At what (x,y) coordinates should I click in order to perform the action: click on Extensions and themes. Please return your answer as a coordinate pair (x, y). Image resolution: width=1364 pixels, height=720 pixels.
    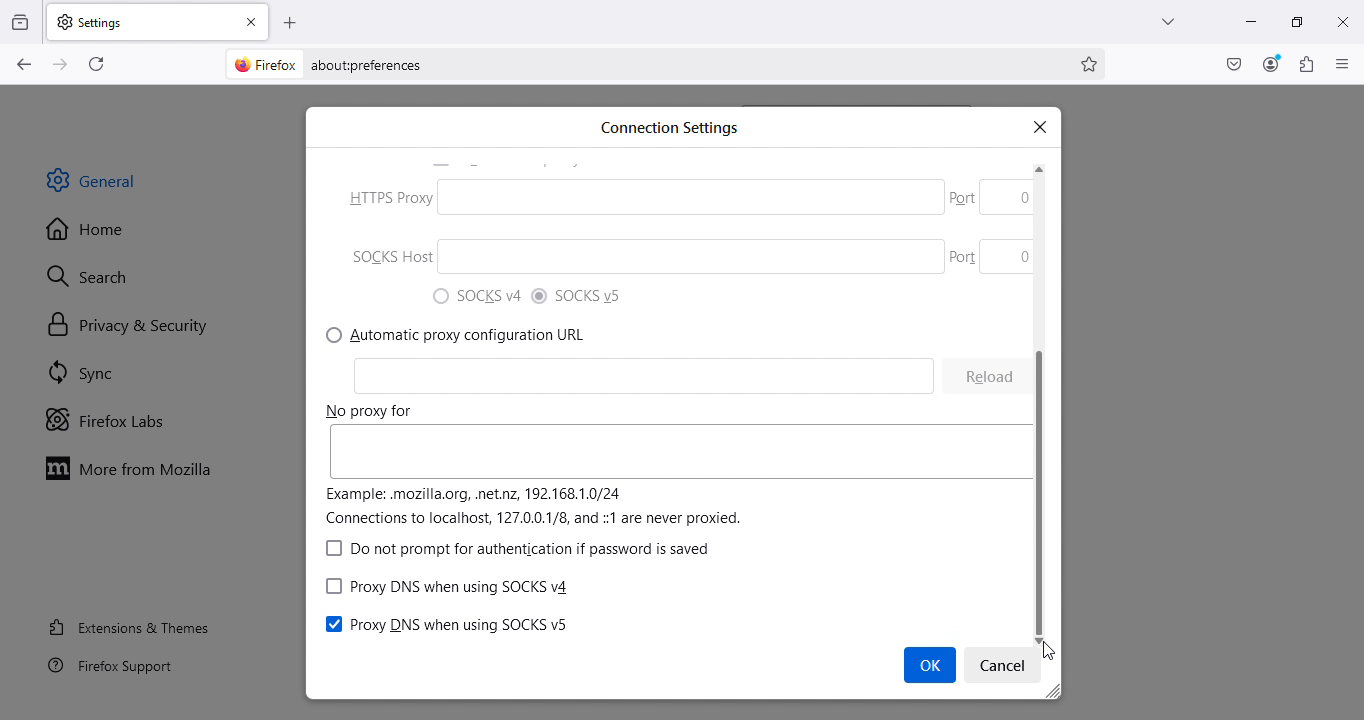
    Looking at the image, I should click on (129, 630).